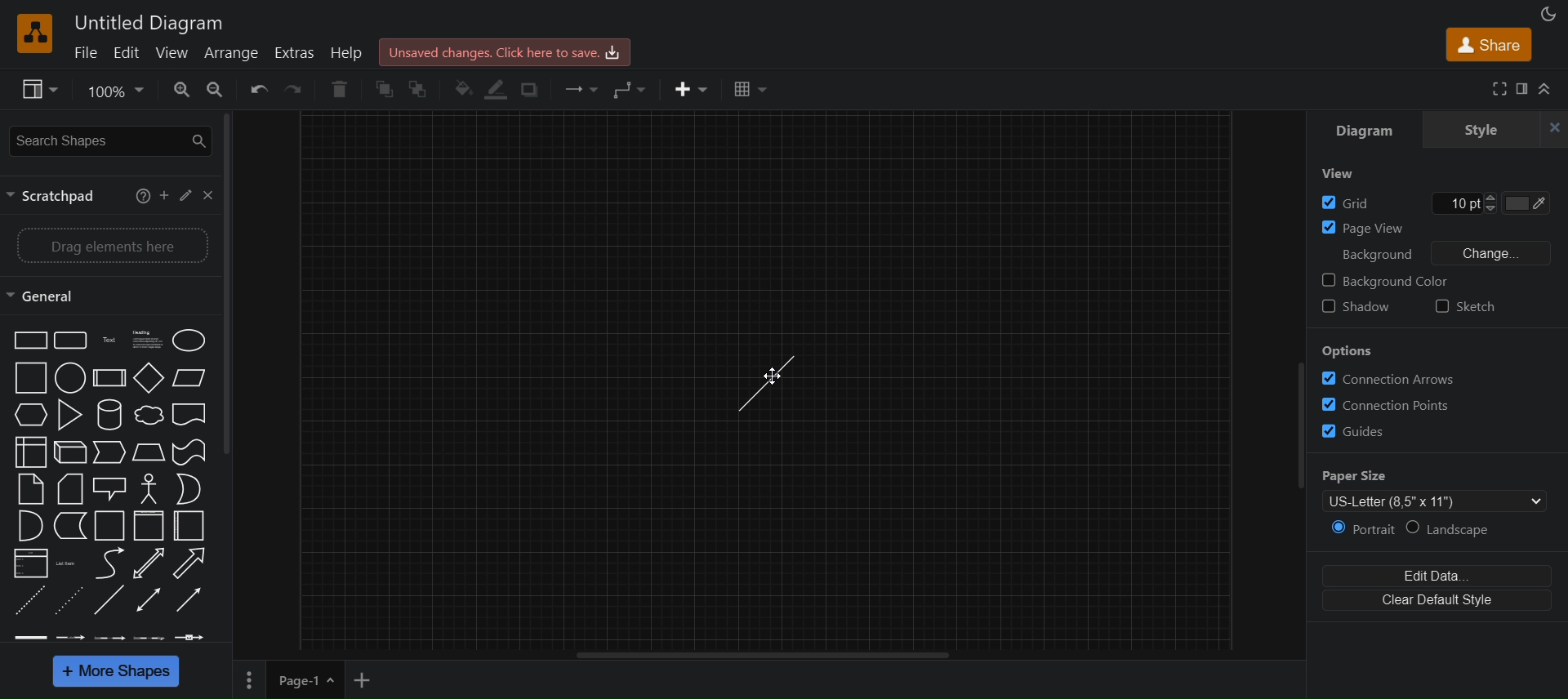 This screenshot has width=1568, height=699. Describe the element at coordinates (147, 415) in the screenshot. I see `Cloud` at that location.